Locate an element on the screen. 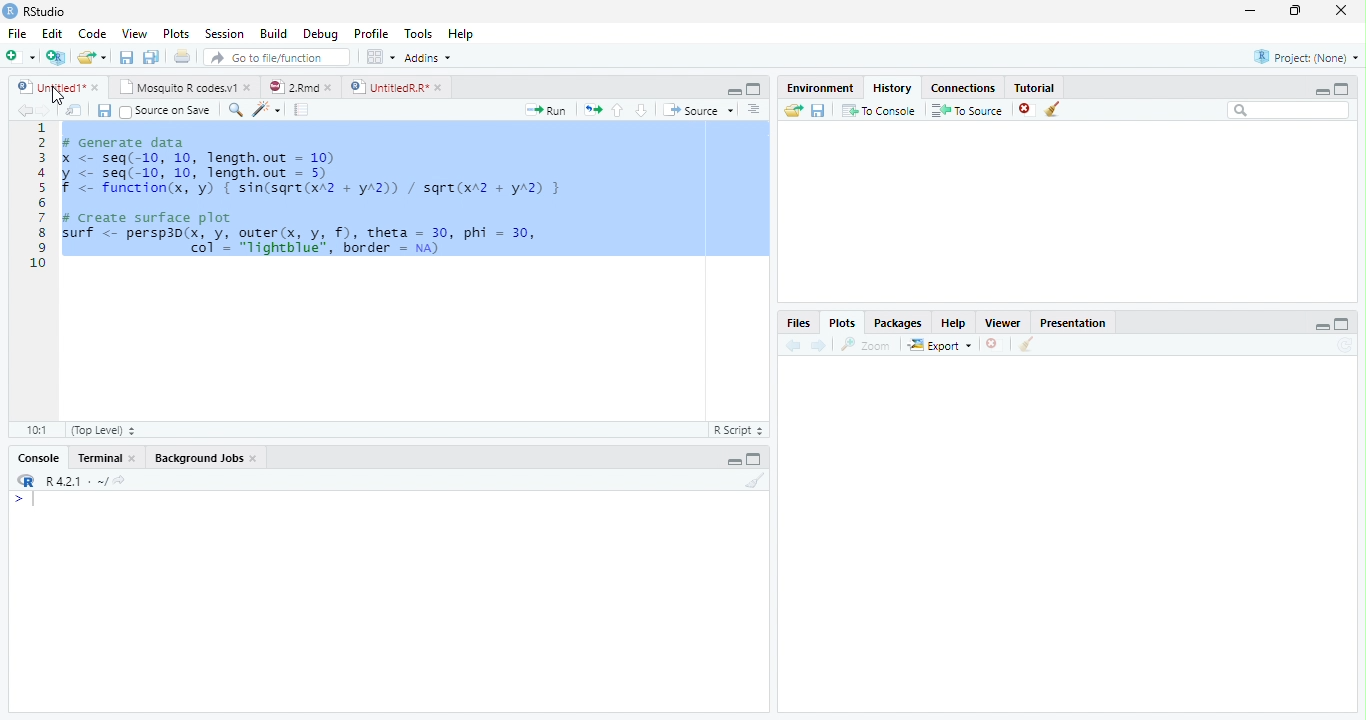 This screenshot has width=1366, height=720. Go to previous section/chunk is located at coordinates (617, 110).